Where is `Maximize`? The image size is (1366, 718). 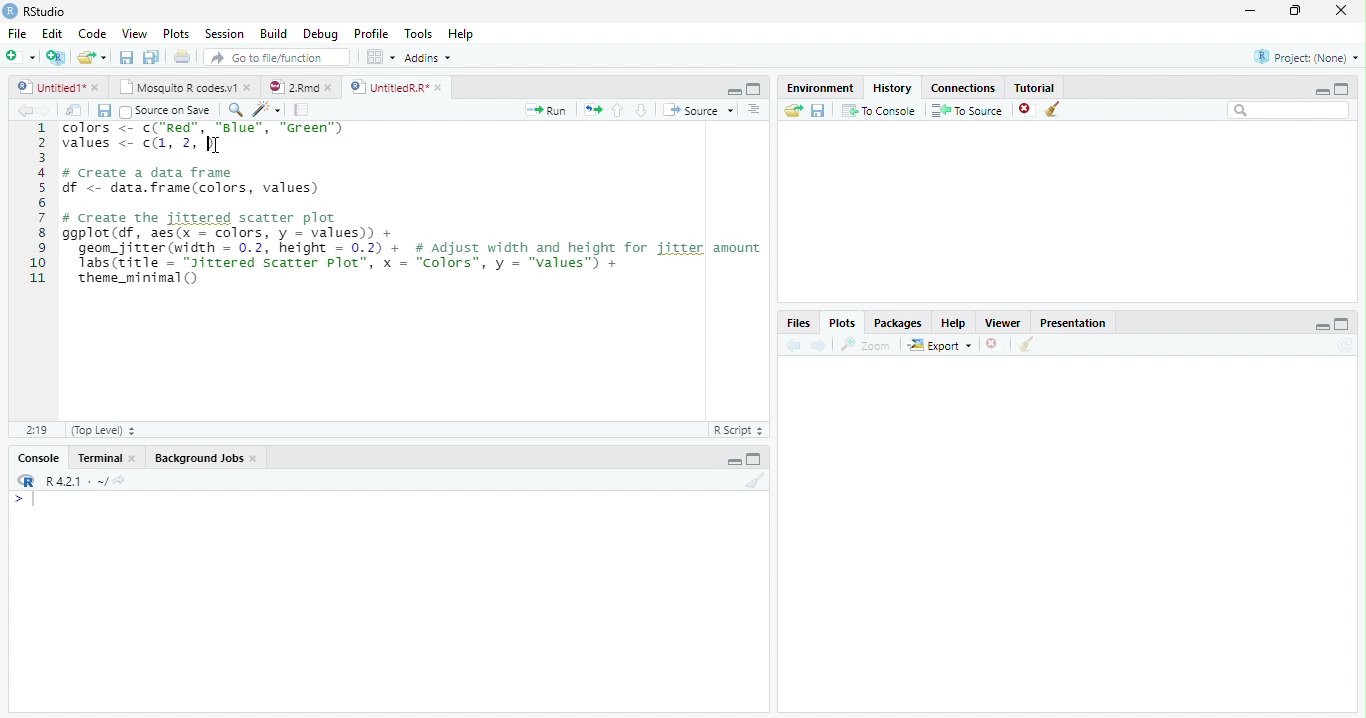 Maximize is located at coordinates (1342, 89).